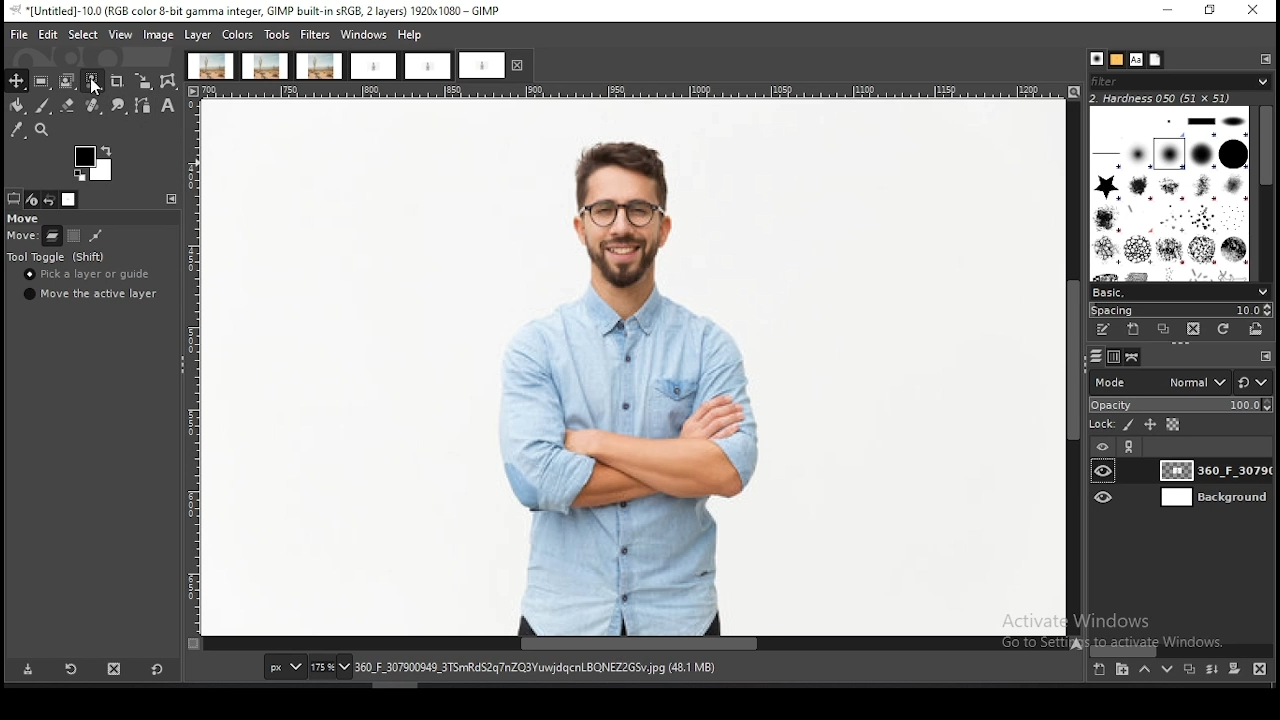 This screenshot has height=720, width=1280. Describe the element at coordinates (1266, 358) in the screenshot. I see `configure this tab` at that location.